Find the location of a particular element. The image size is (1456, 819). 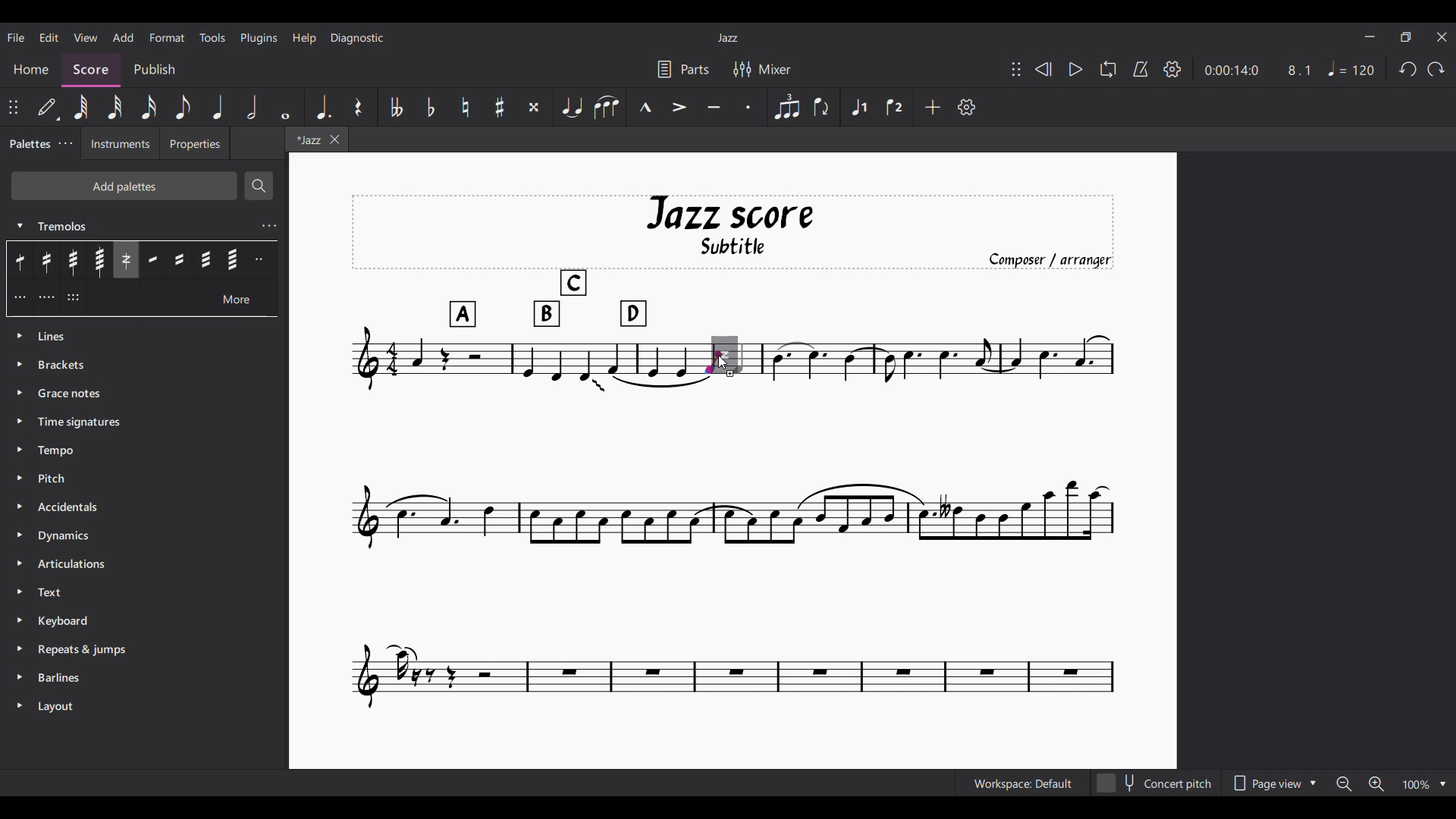

Score is located at coordinates (91, 70).